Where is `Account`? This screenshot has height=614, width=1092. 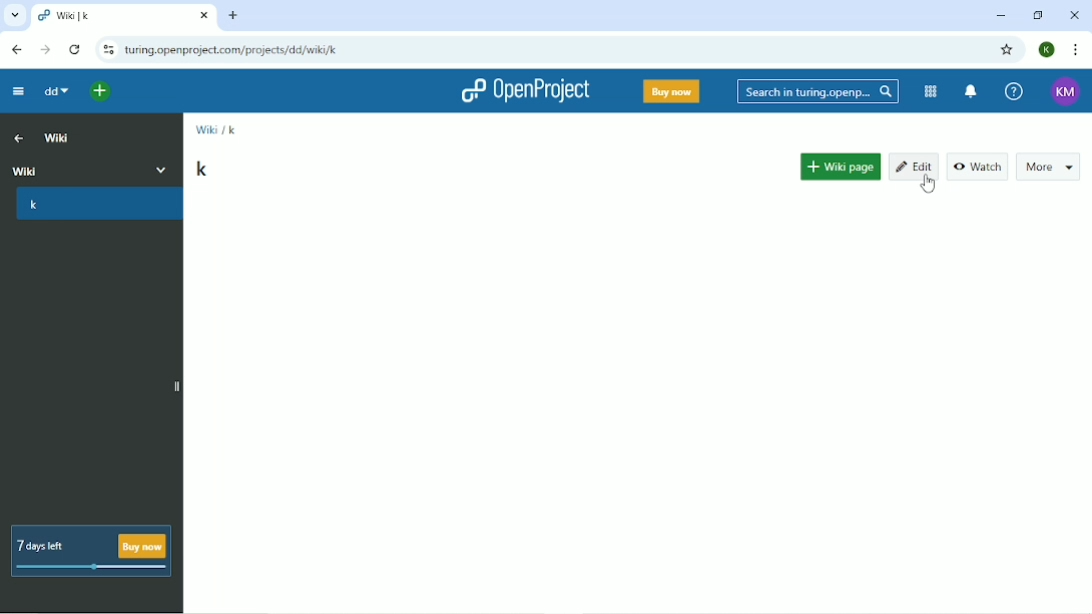
Account is located at coordinates (1047, 49).